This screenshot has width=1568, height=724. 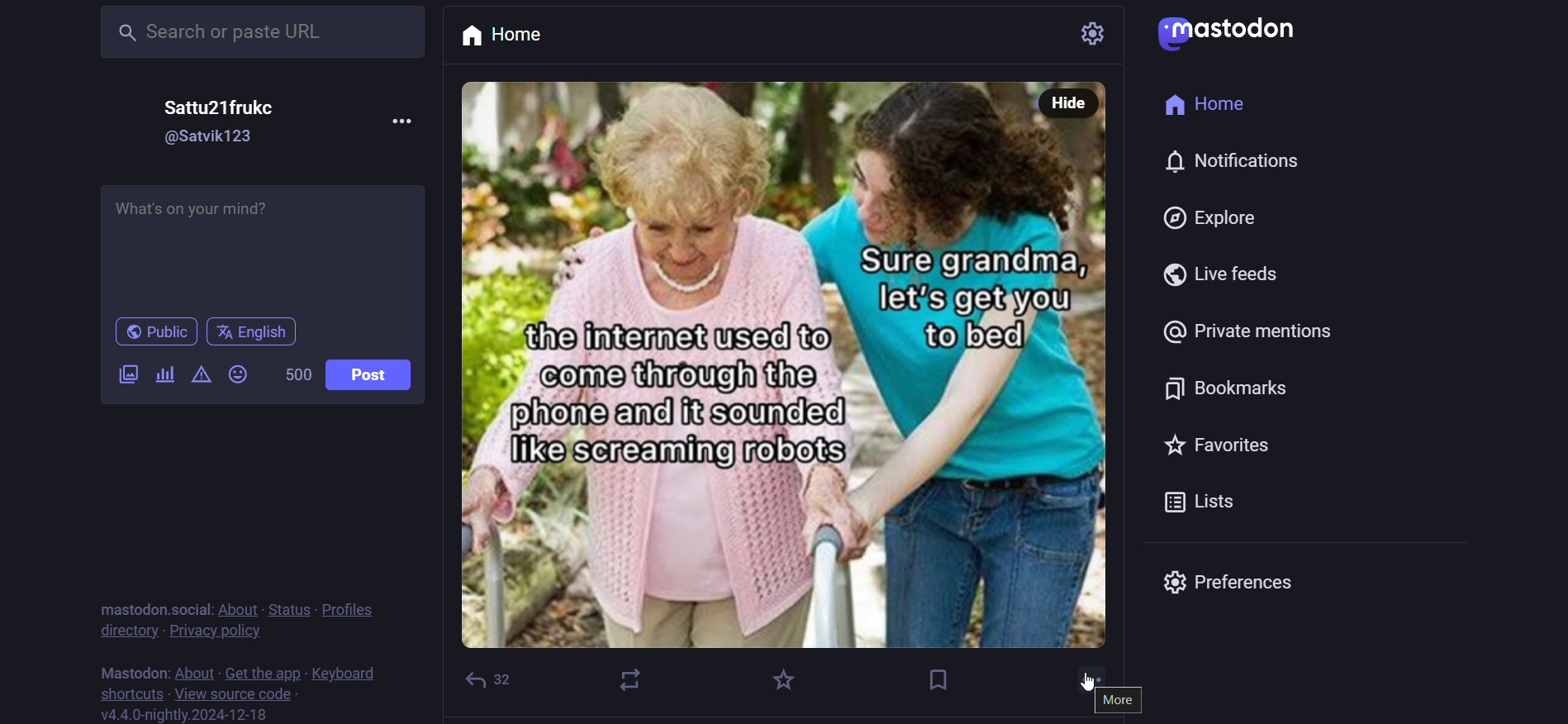 I want to click on post, so click(x=378, y=372).